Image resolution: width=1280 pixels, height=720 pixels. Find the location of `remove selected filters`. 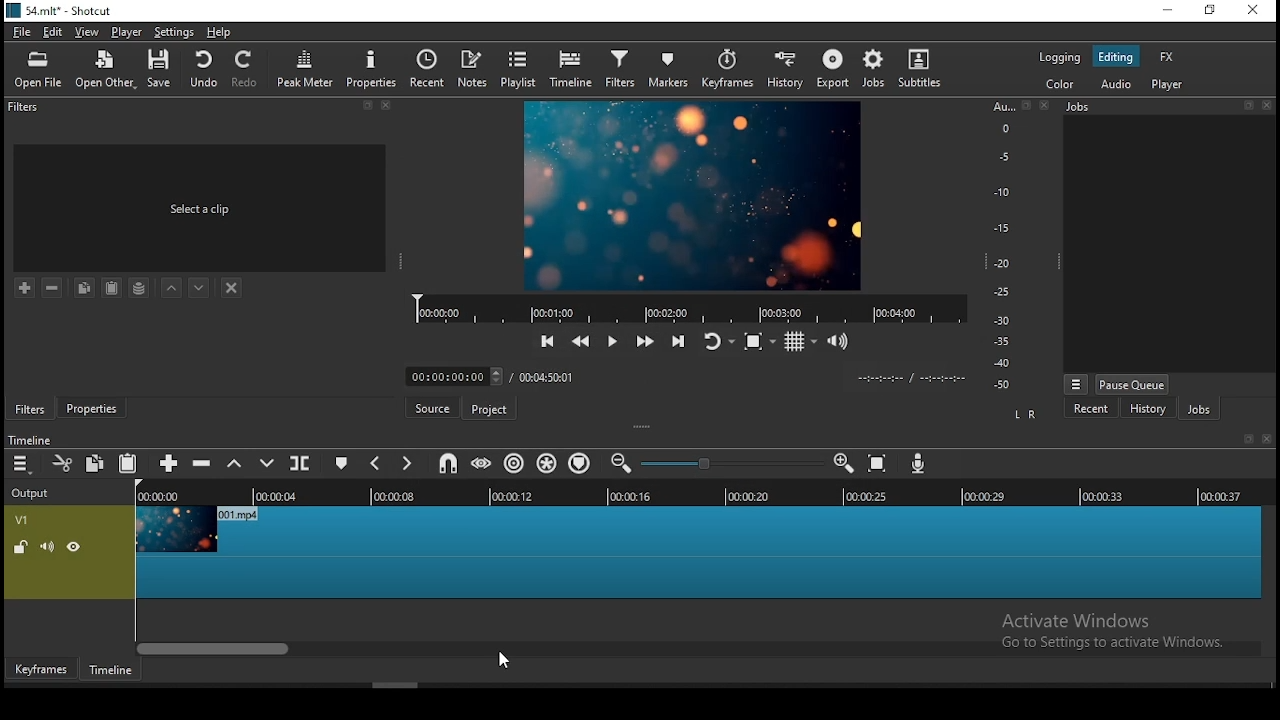

remove selected filters is located at coordinates (53, 288).